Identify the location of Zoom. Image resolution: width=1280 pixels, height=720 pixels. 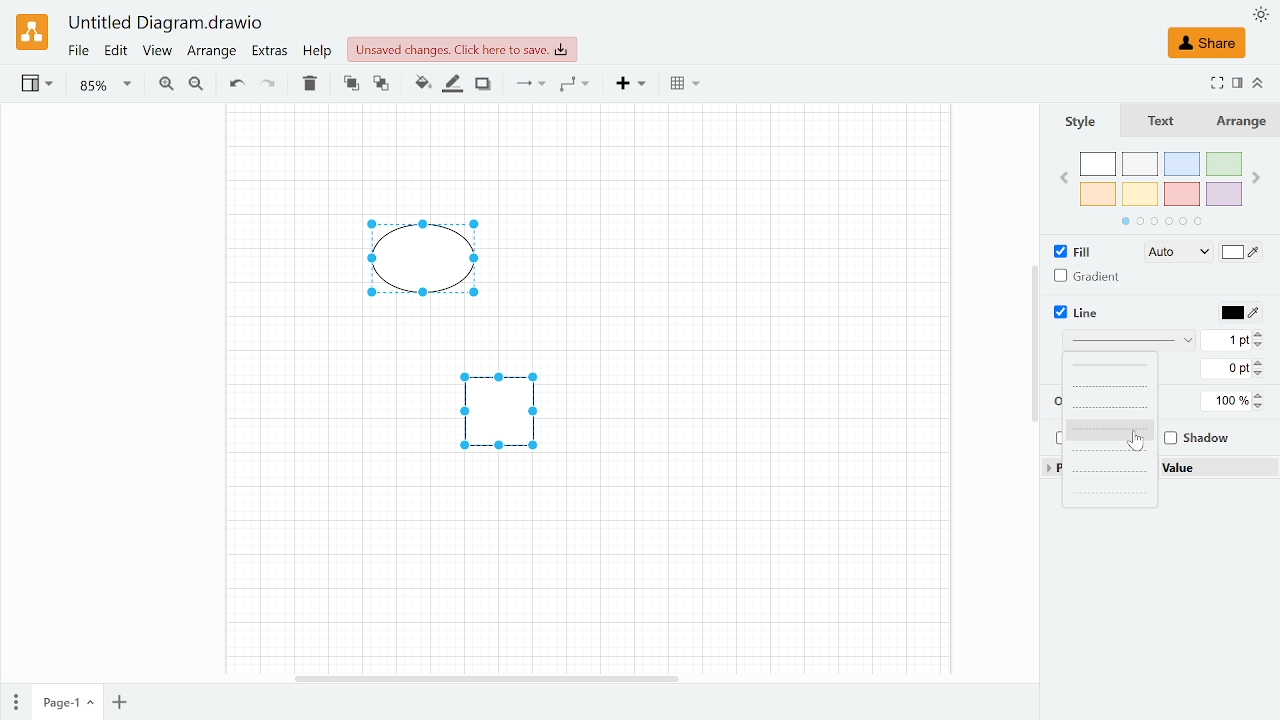
(105, 86).